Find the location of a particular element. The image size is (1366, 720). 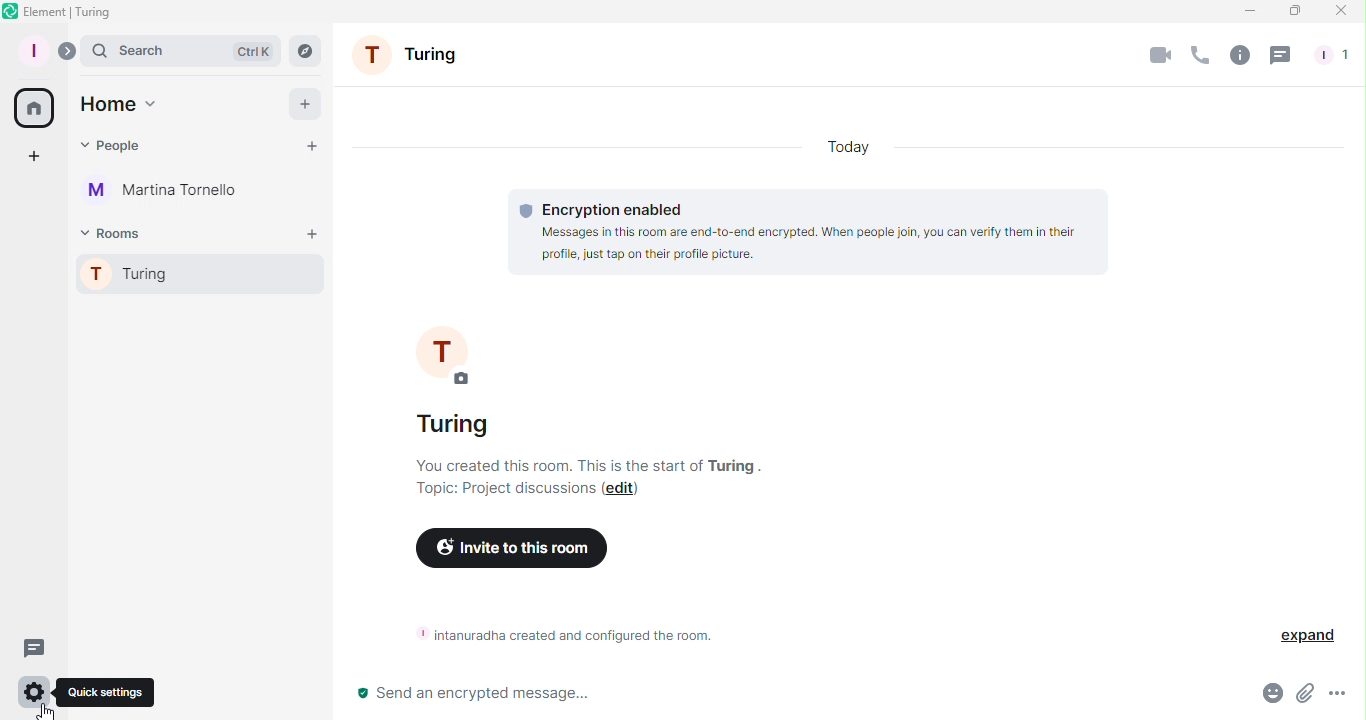

add is located at coordinates (302, 102).